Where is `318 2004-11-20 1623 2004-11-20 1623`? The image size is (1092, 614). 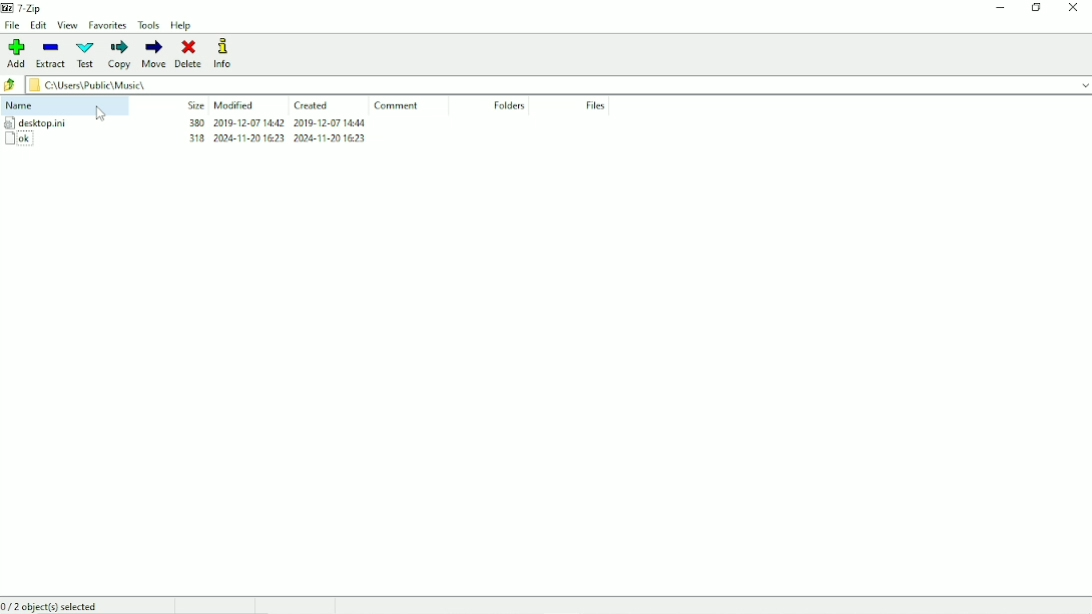
318 2004-11-20 1623 2004-11-20 1623 is located at coordinates (277, 124).